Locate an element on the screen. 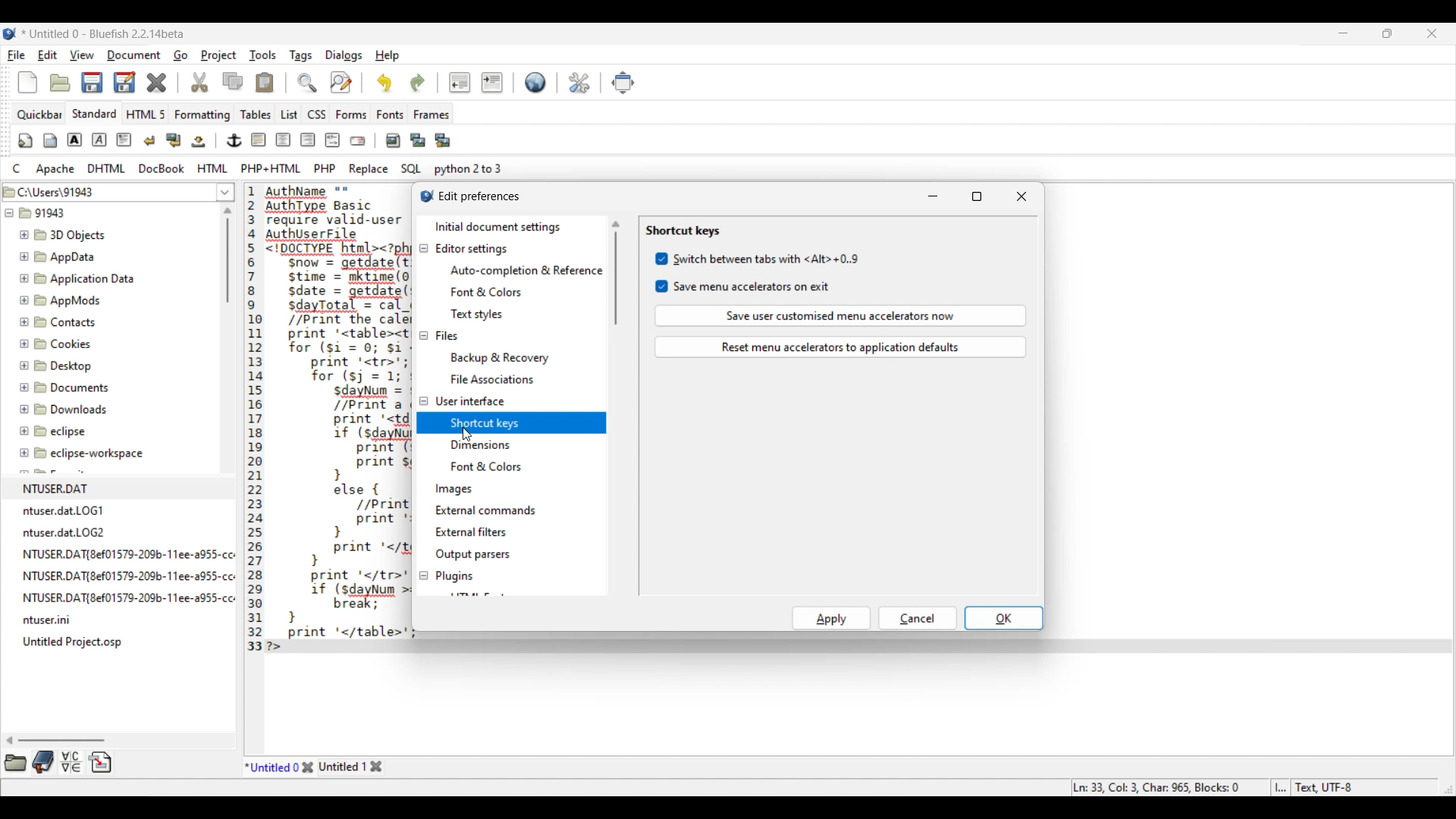  Tools menu is located at coordinates (262, 55).